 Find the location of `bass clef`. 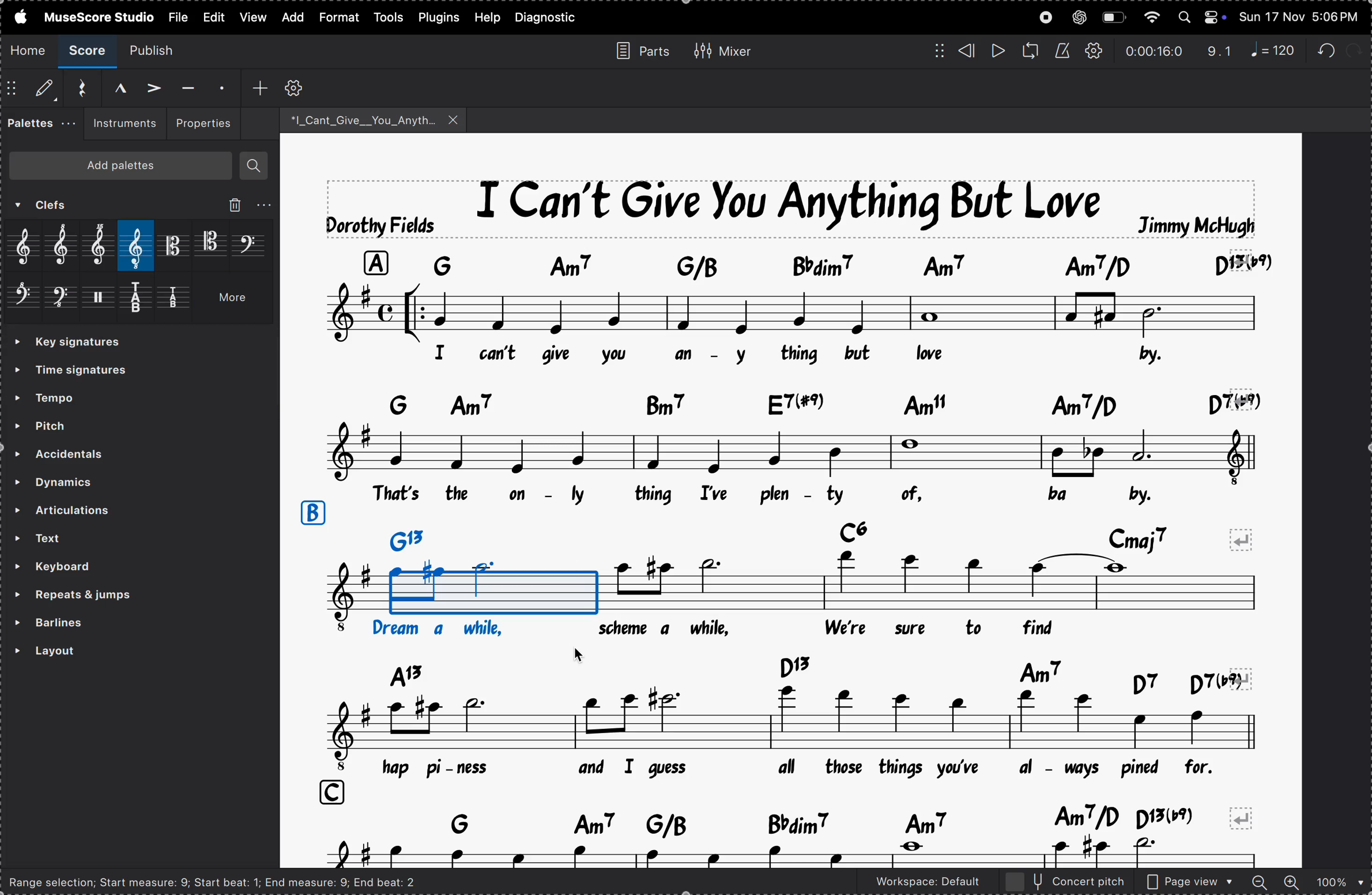

bass clef is located at coordinates (250, 243).